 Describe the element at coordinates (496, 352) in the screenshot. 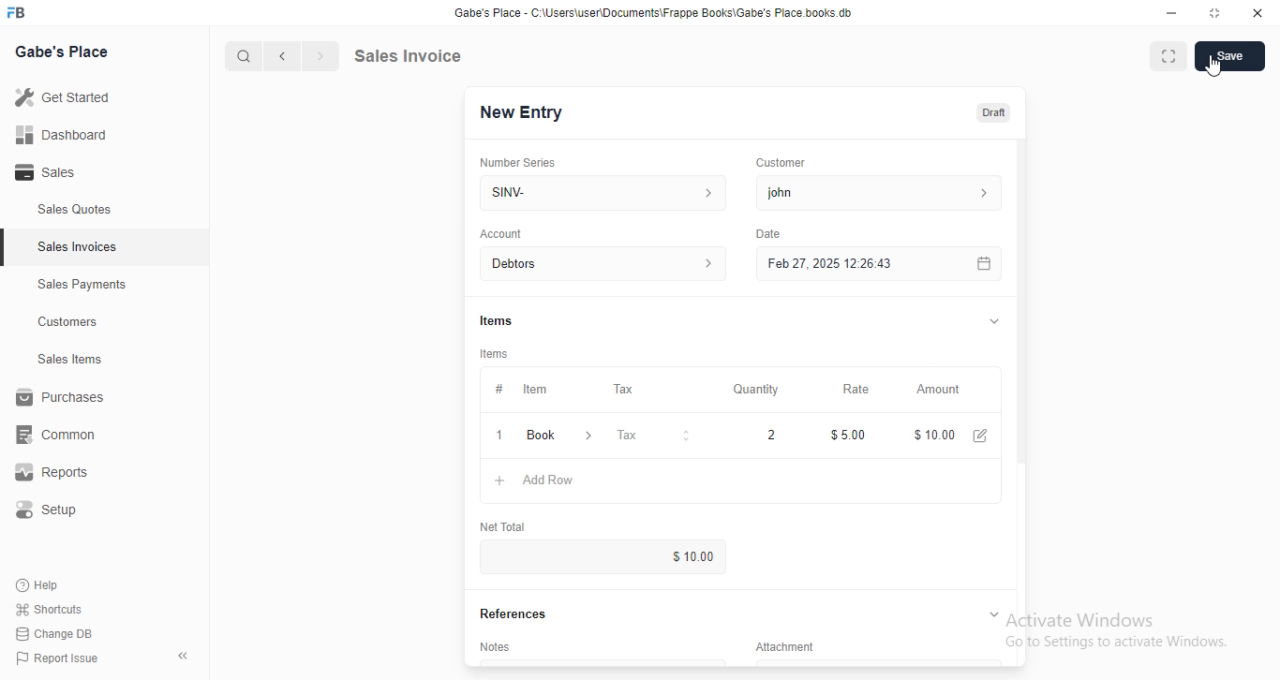

I see `Items` at that location.